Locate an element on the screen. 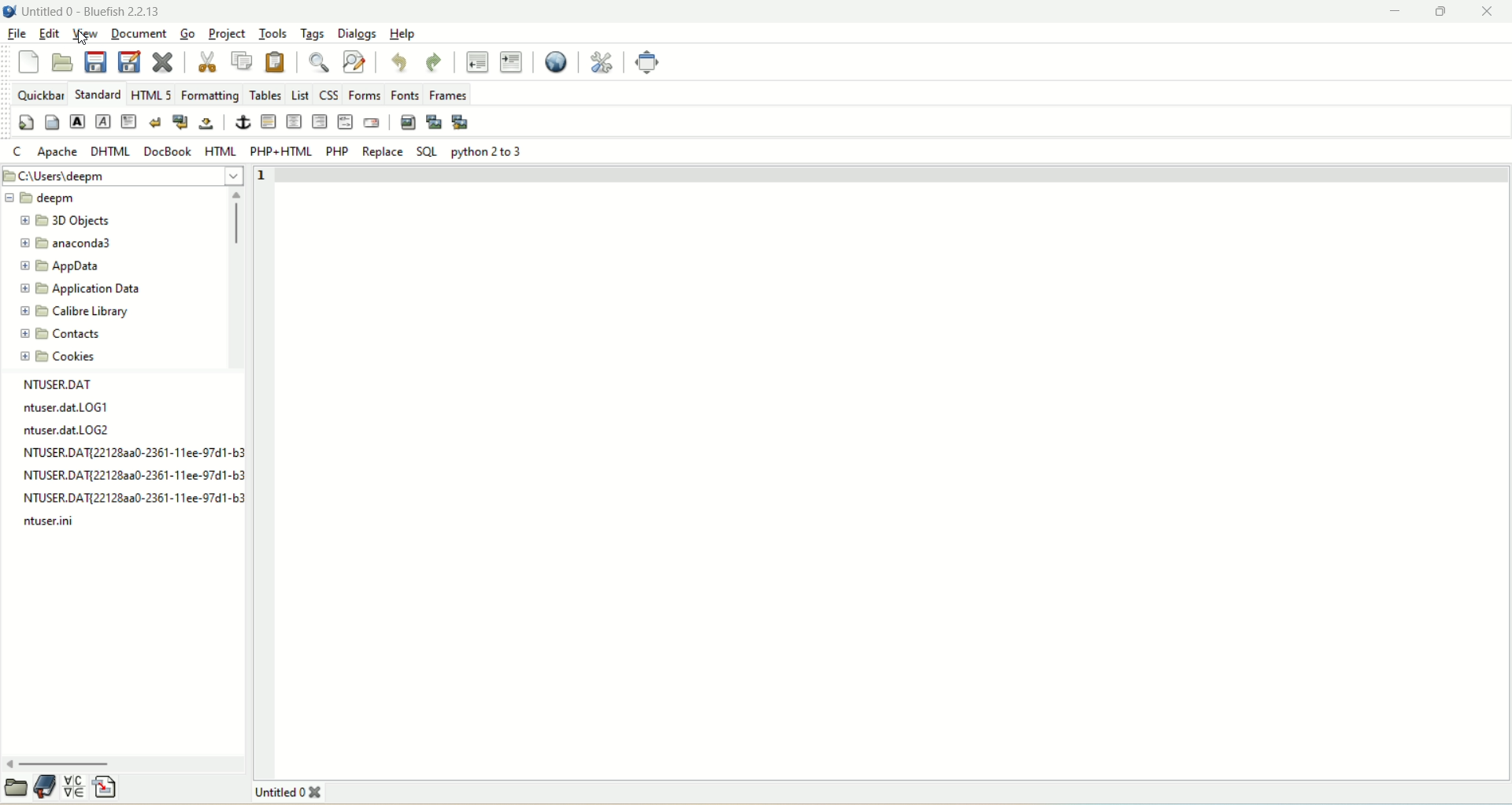 The width and height of the screenshot is (1512, 805). documentation is located at coordinates (46, 788).